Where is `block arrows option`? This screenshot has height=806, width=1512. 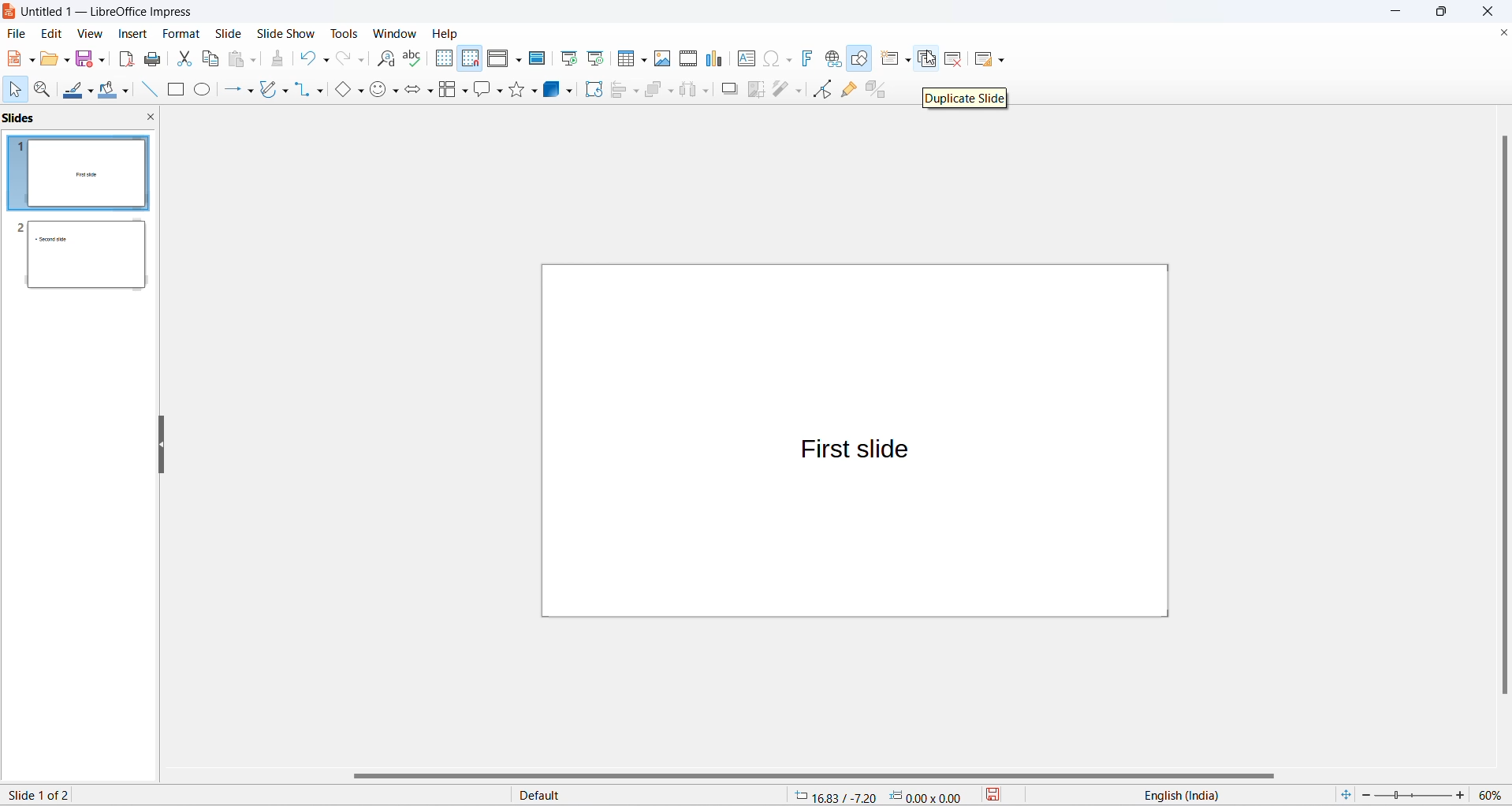 block arrows option is located at coordinates (430, 91).